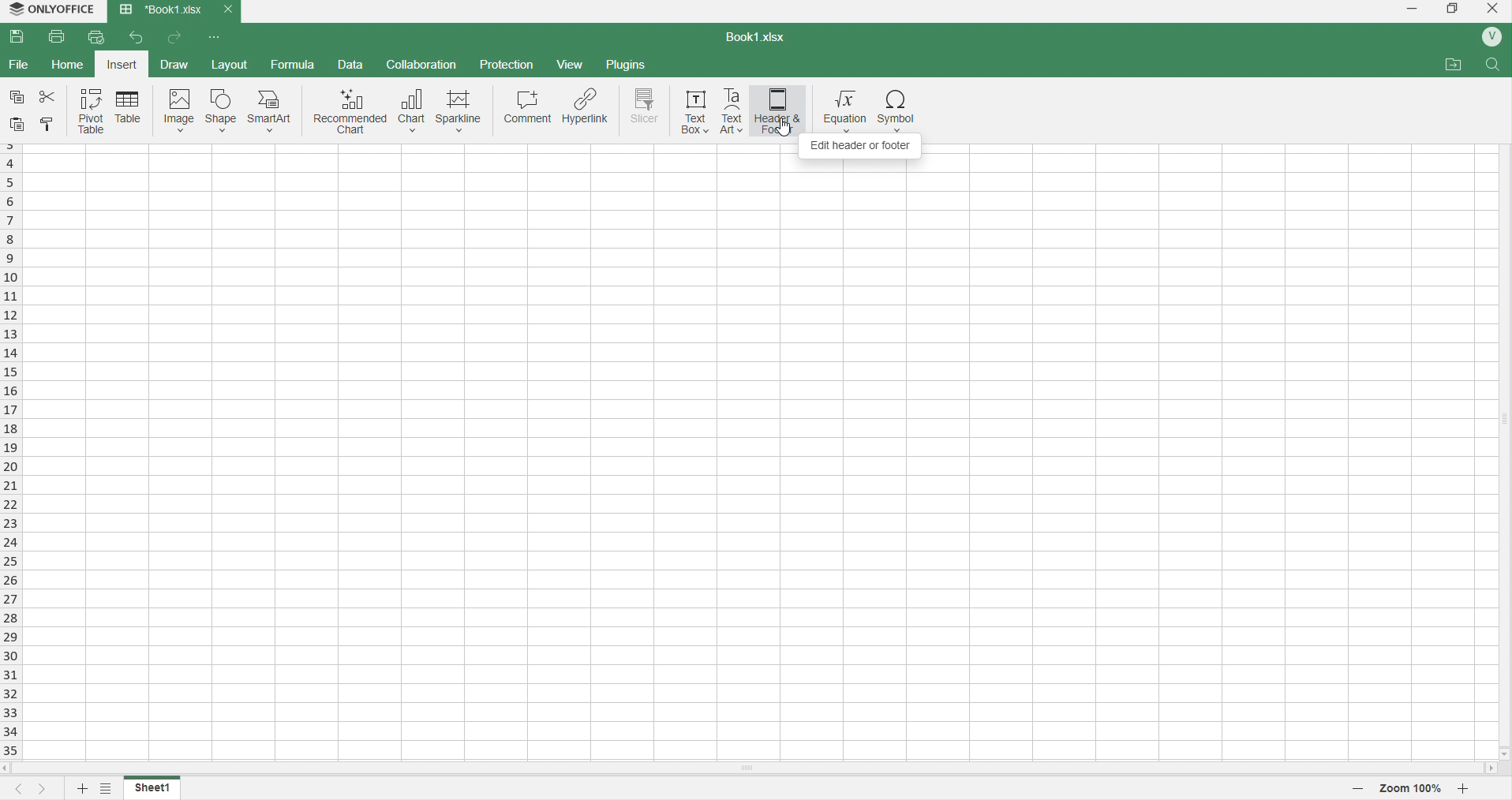 The height and width of the screenshot is (800, 1512). What do you see at coordinates (9, 768) in the screenshot?
I see `move left` at bounding box center [9, 768].